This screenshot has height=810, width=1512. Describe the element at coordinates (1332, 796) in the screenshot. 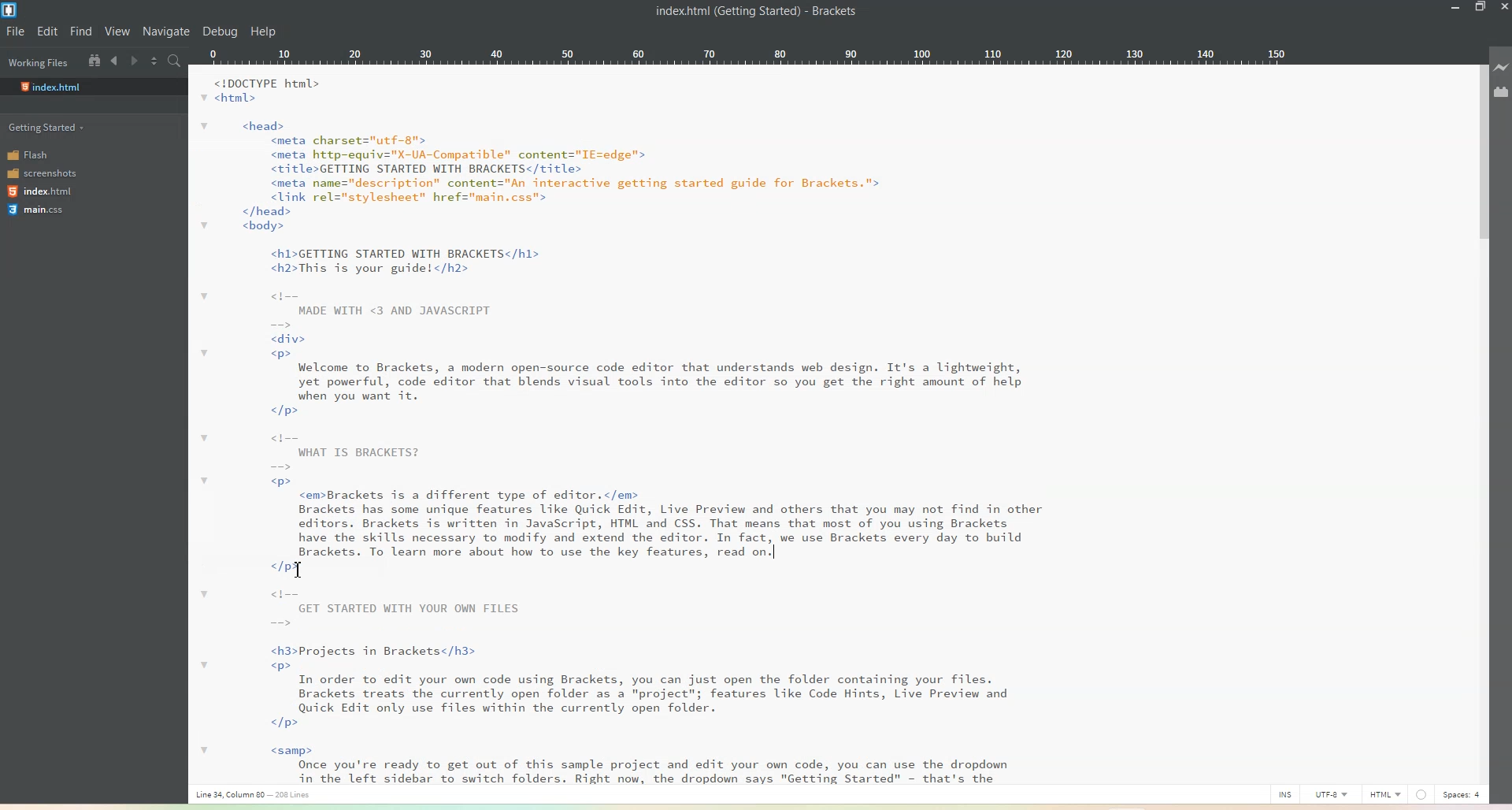

I see `UTF-8` at that location.